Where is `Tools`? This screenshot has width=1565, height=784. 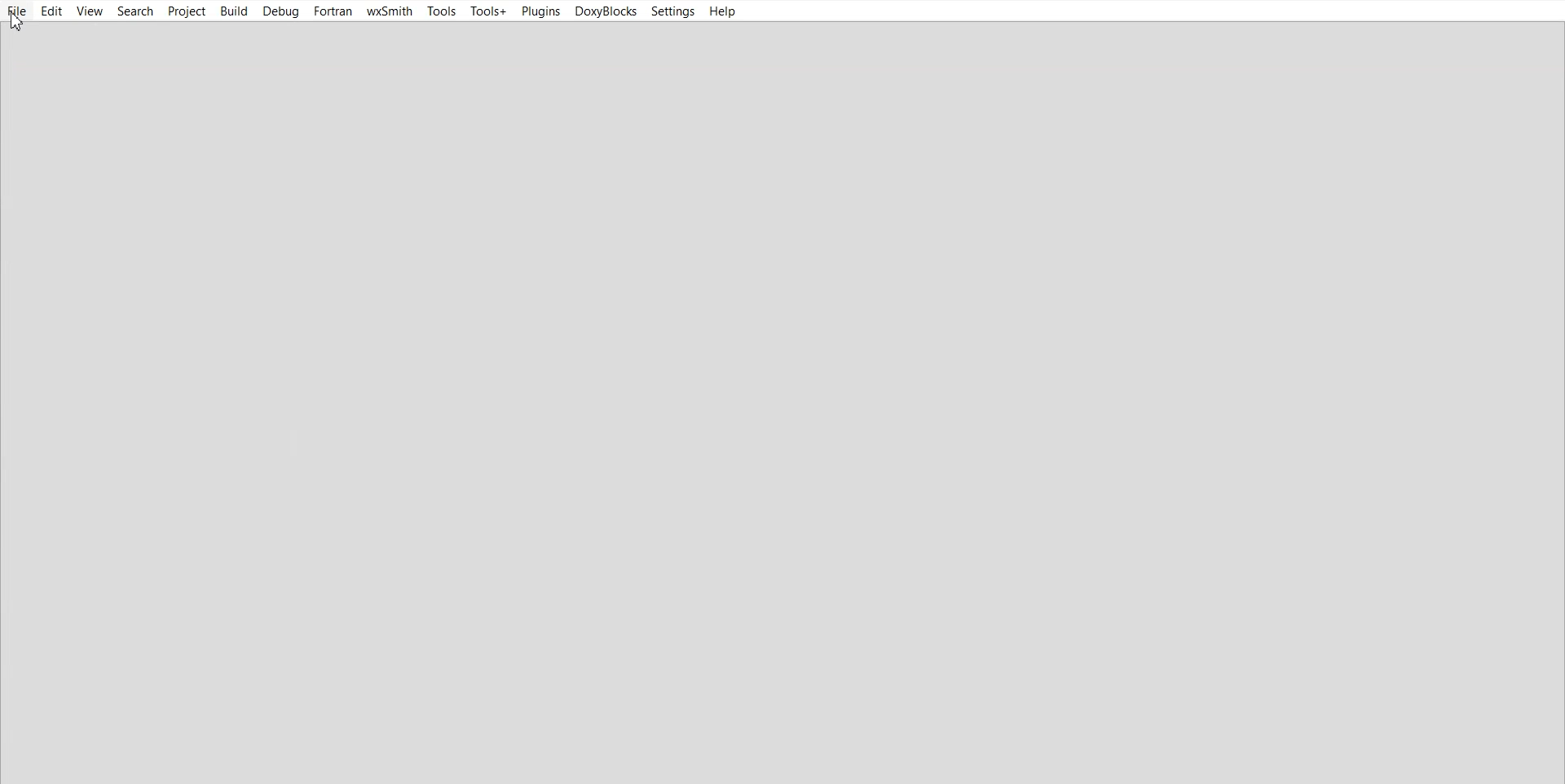 Tools is located at coordinates (441, 12).